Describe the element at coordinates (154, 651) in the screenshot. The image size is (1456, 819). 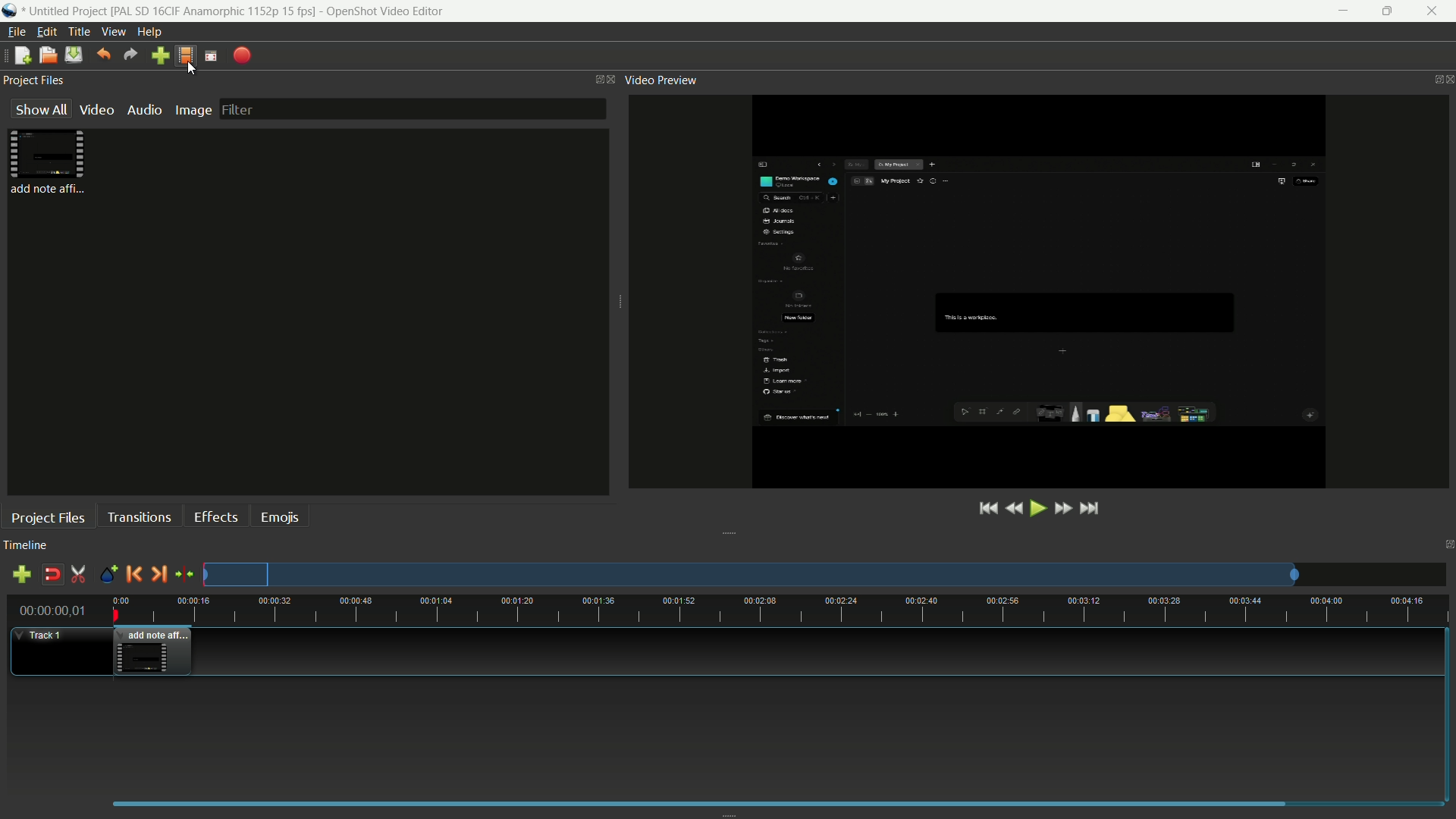
I see `video in timeline` at that location.